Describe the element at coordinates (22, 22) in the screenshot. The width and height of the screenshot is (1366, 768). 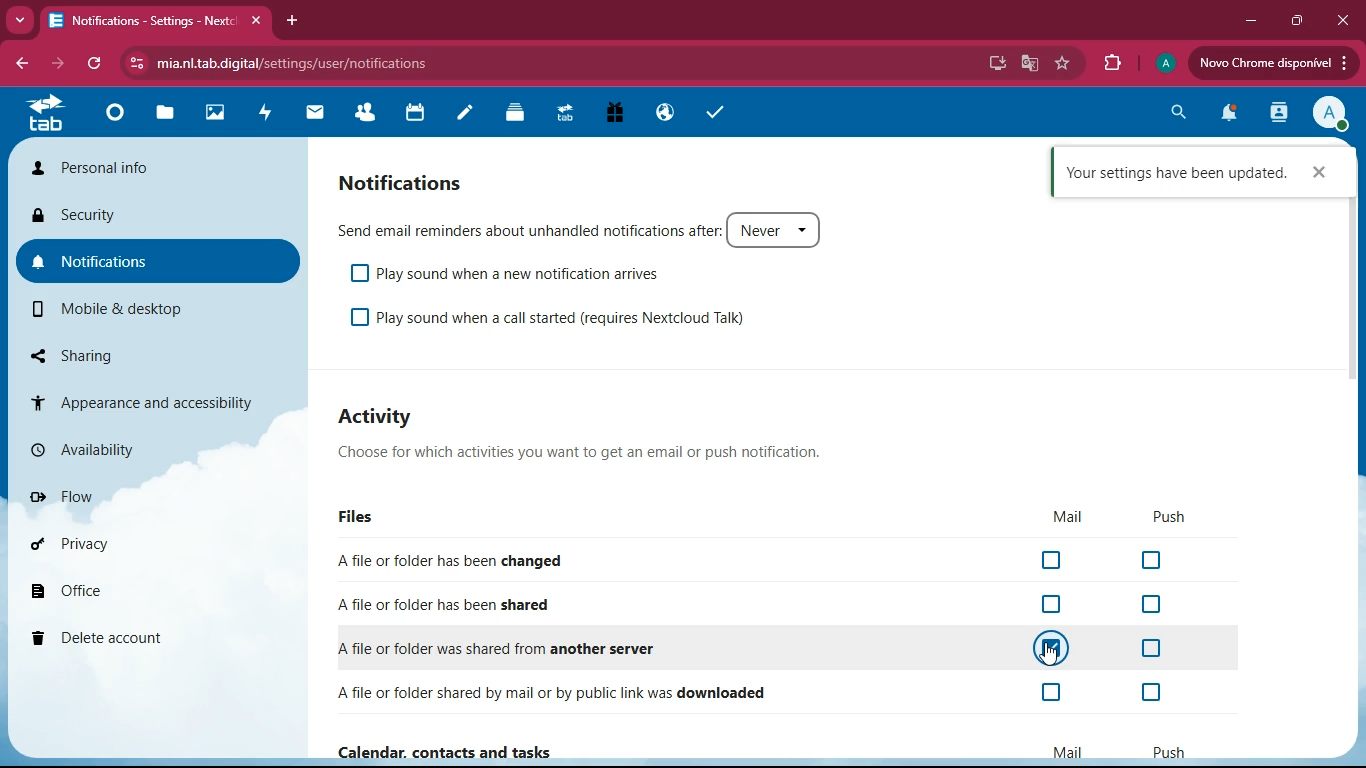
I see `more` at that location.